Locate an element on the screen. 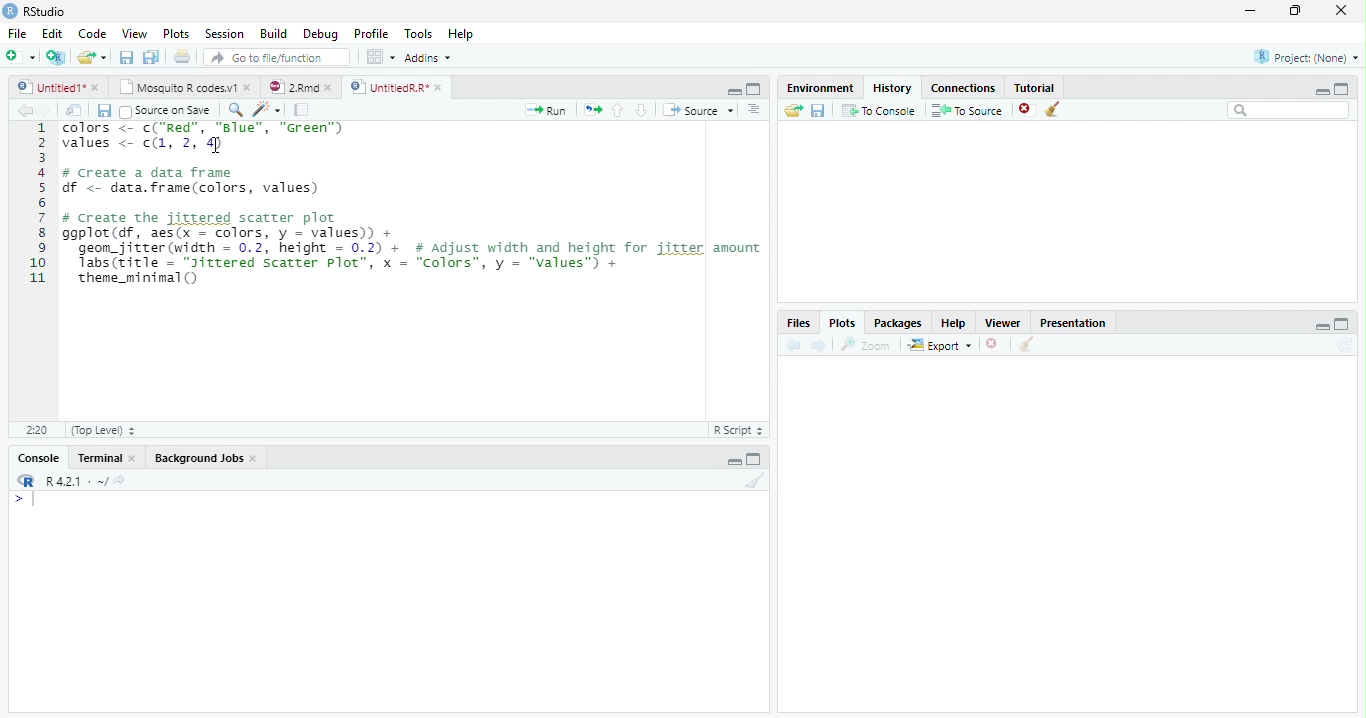 The width and height of the screenshot is (1366, 718). Run is located at coordinates (546, 111).